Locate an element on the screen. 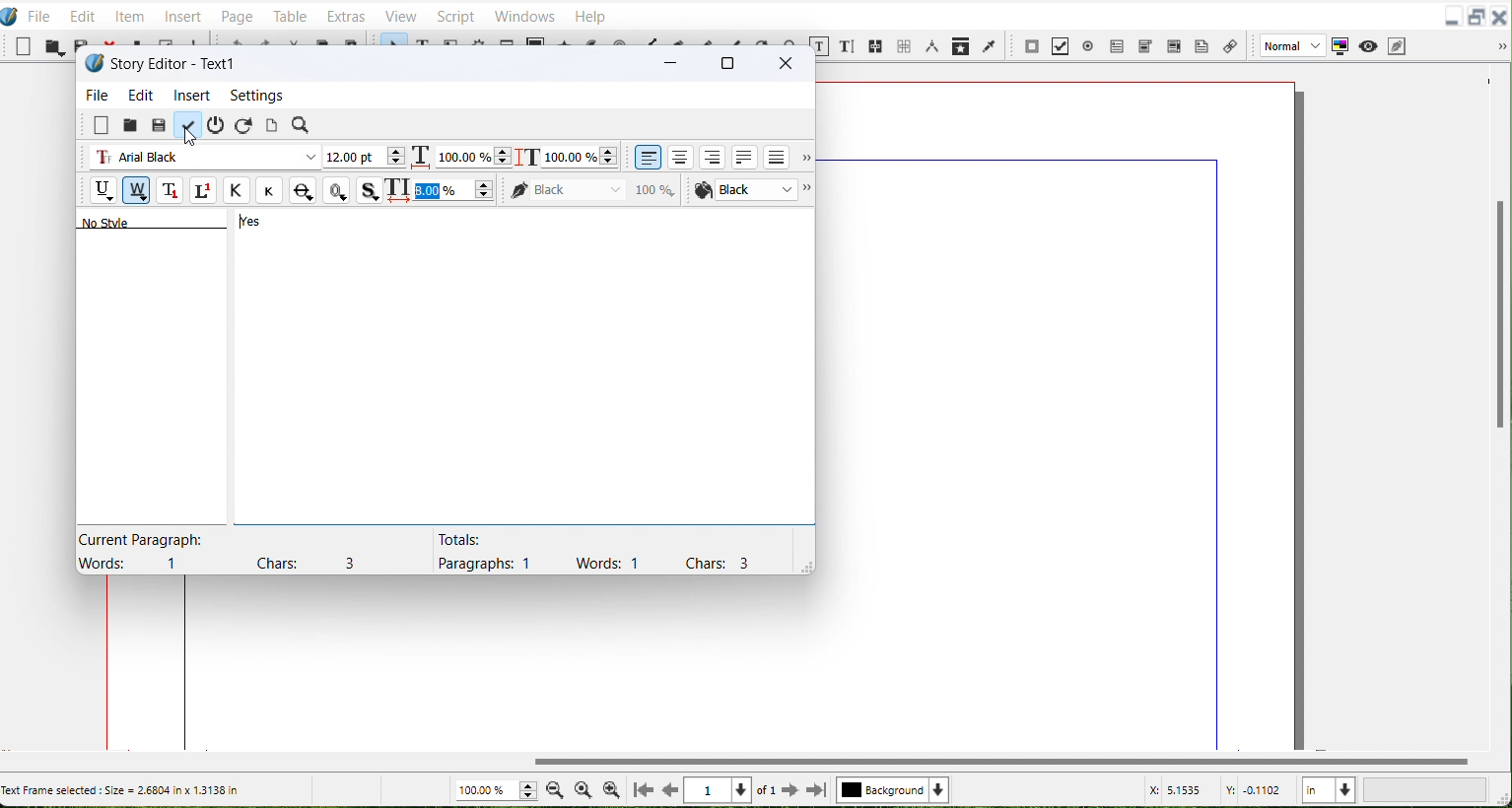 This screenshot has height=808, width=1512. Link Text Frame is located at coordinates (877, 44).